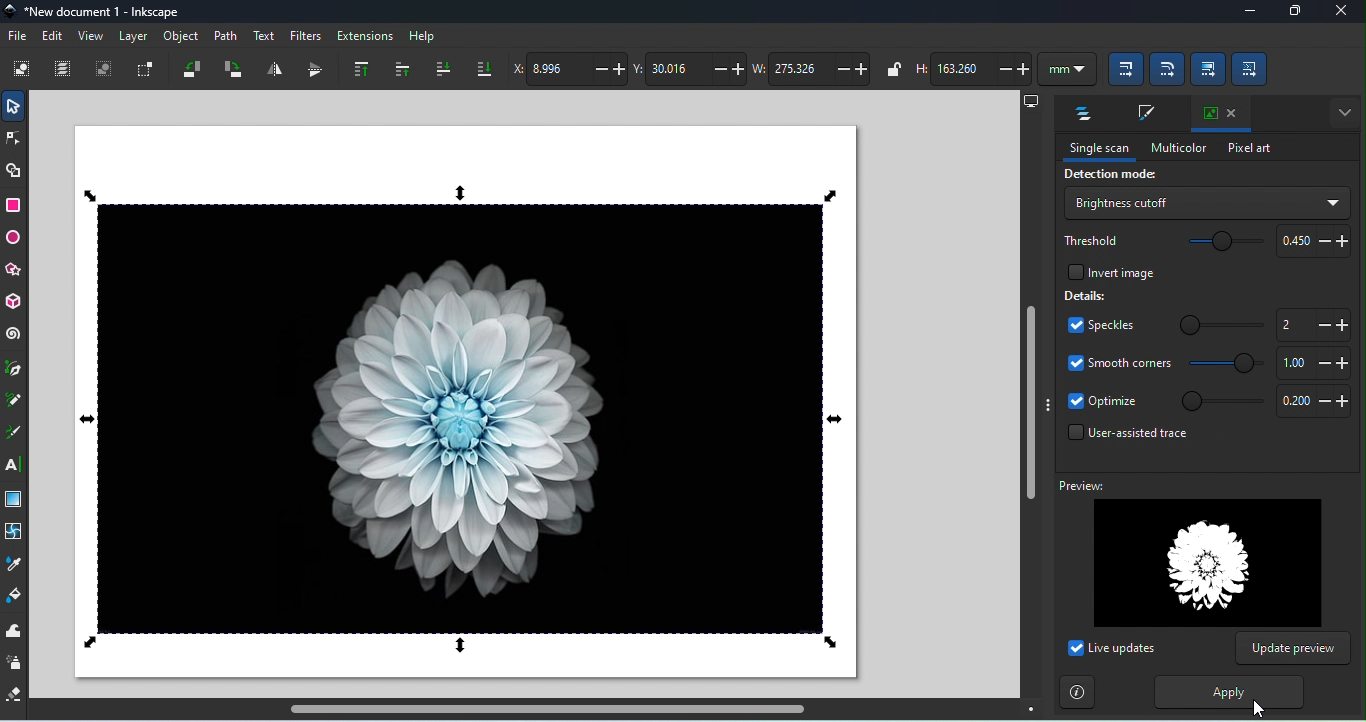 This screenshot has height=722, width=1366. What do you see at coordinates (1314, 402) in the screenshot?
I see `Optimize` at bounding box center [1314, 402].